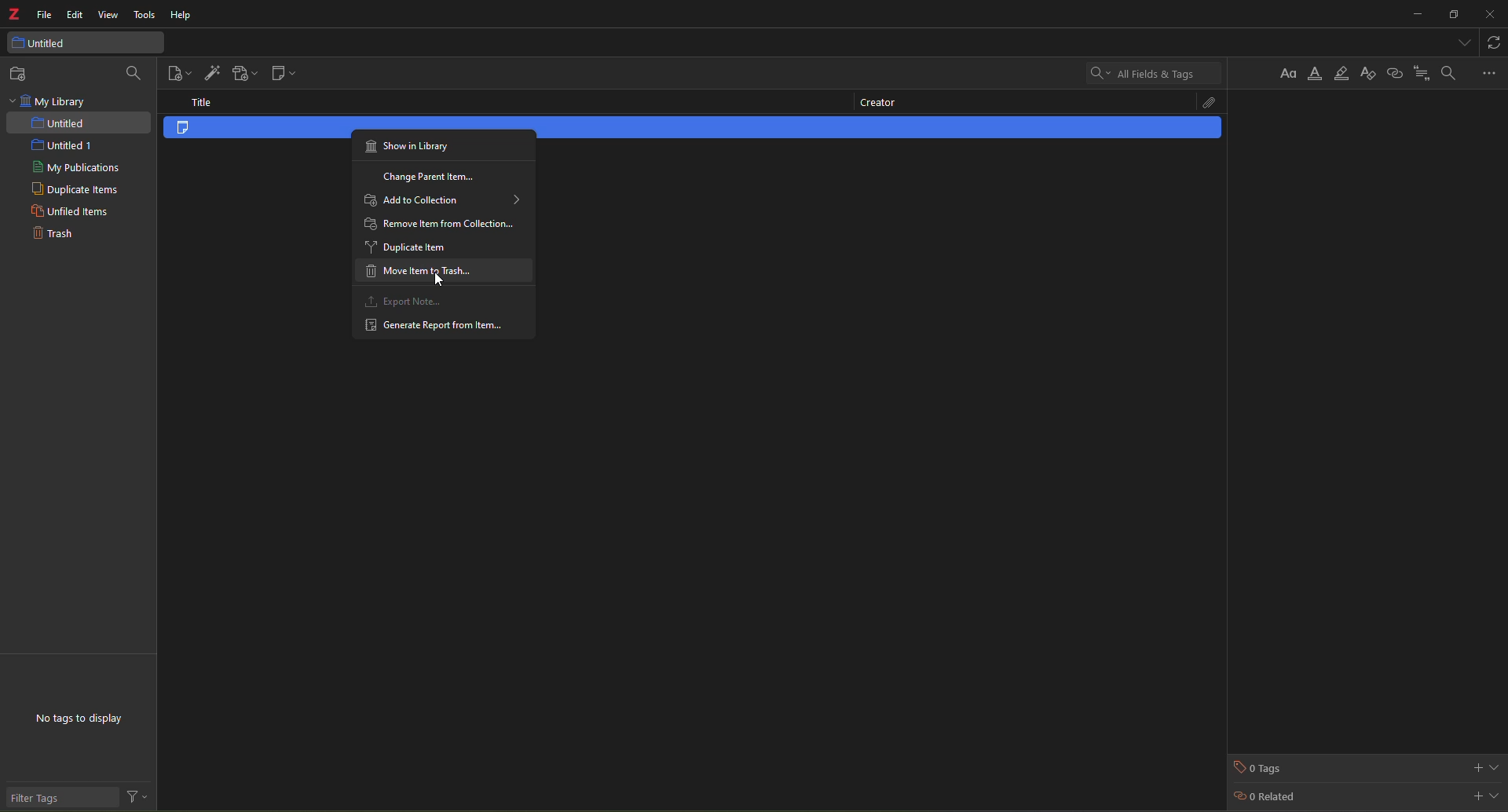 The image size is (1508, 812). I want to click on show in library, so click(413, 148).